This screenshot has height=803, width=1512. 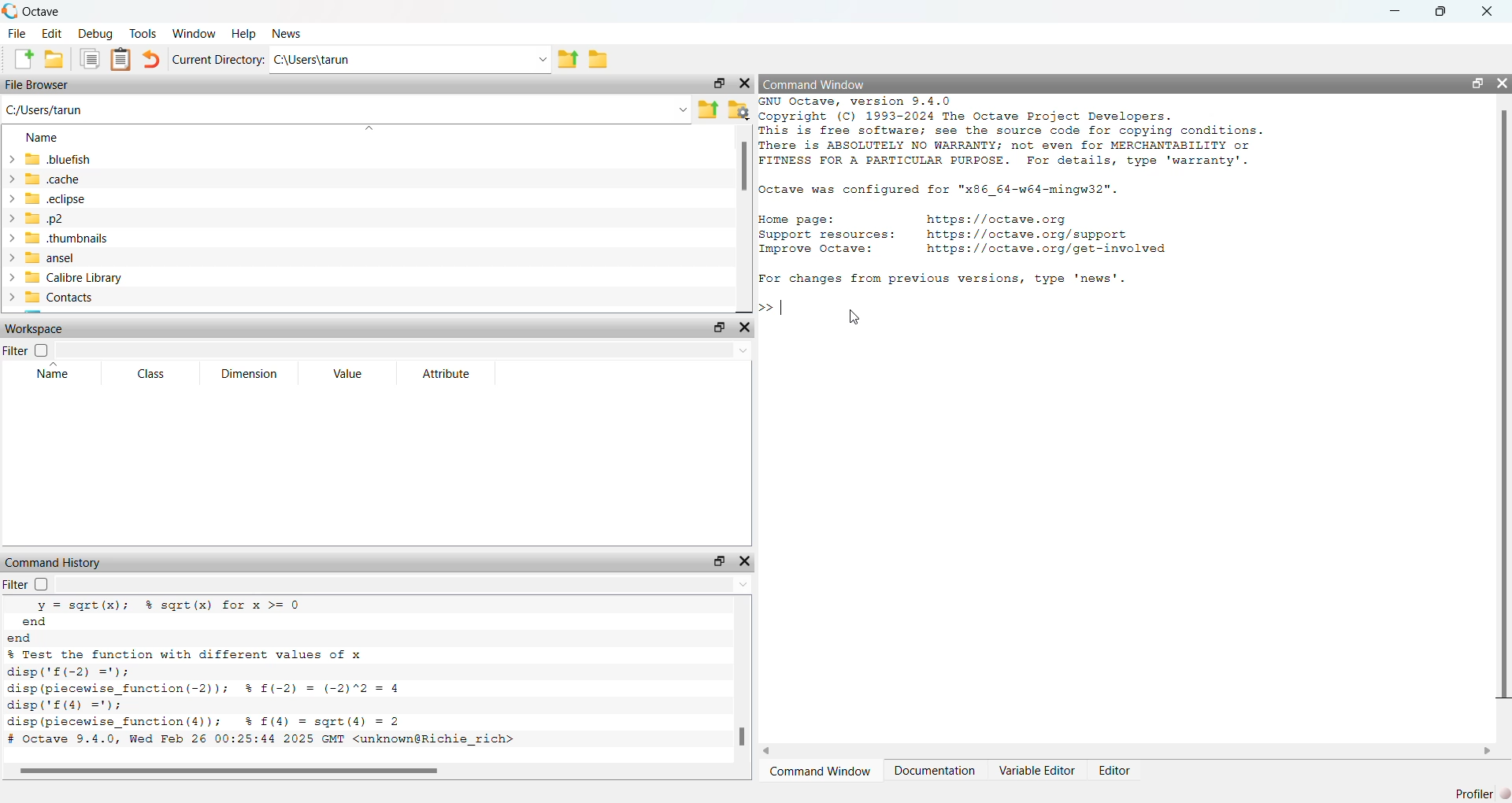 What do you see at coordinates (27, 351) in the screenshot?
I see `Filter` at bounding box center [27, 351].